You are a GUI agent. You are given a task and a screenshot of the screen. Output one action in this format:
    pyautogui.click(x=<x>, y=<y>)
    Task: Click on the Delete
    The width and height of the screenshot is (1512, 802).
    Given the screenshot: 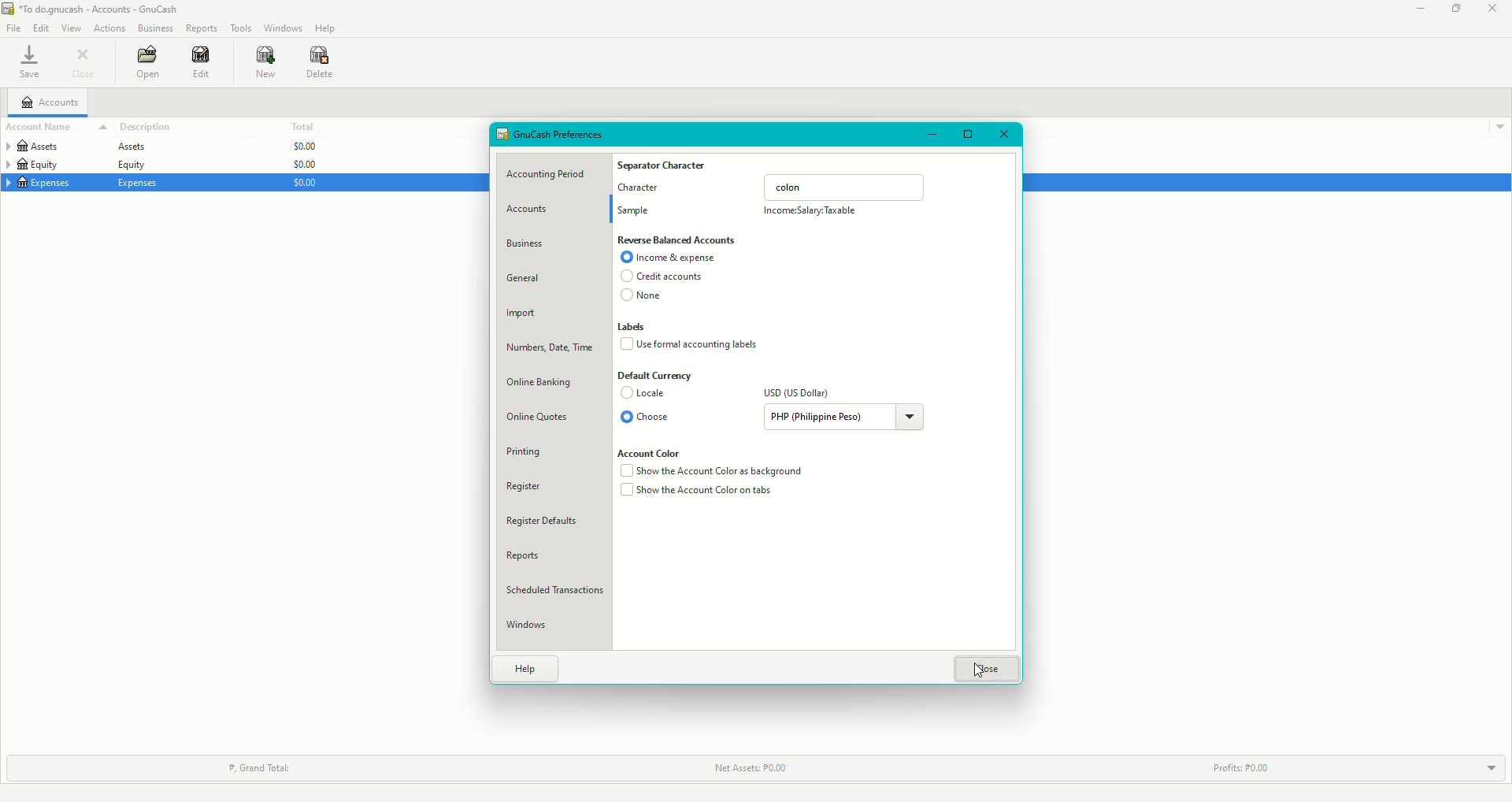 What is the action you would take?
    pyautogui.click(x=321, y=65)
    